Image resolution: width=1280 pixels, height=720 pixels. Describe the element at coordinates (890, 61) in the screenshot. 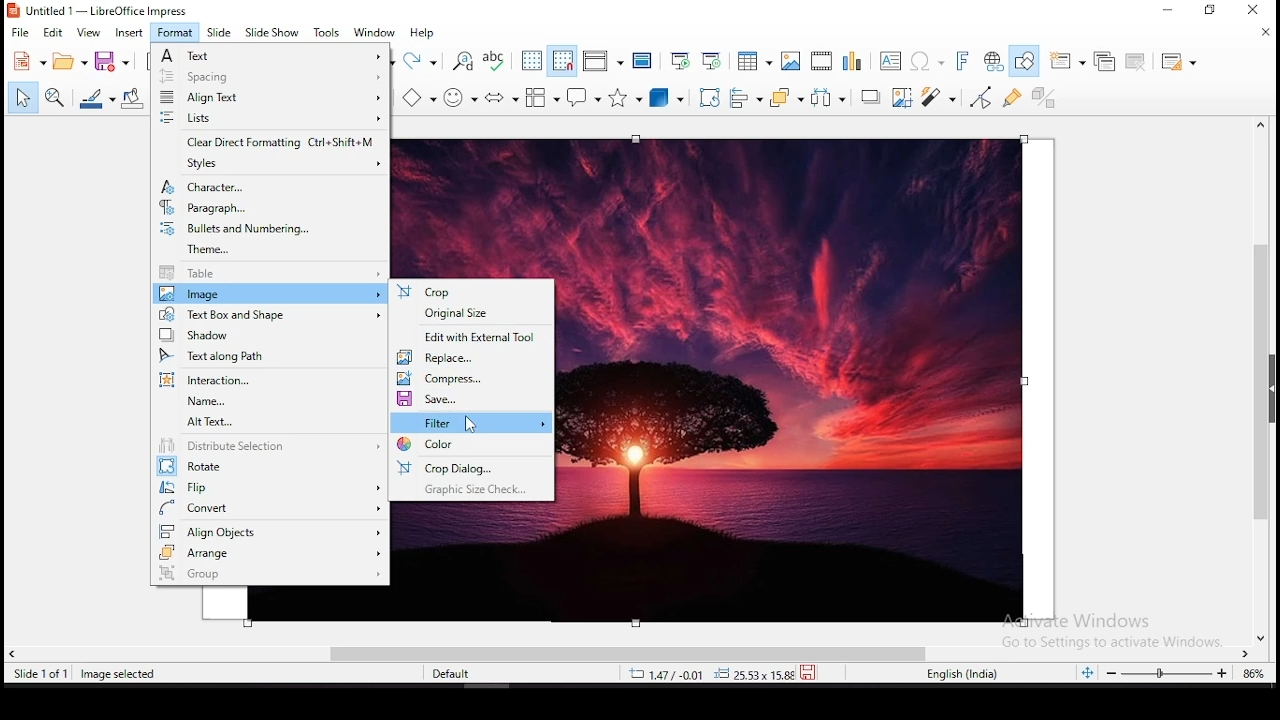

I see `text box` at that location.